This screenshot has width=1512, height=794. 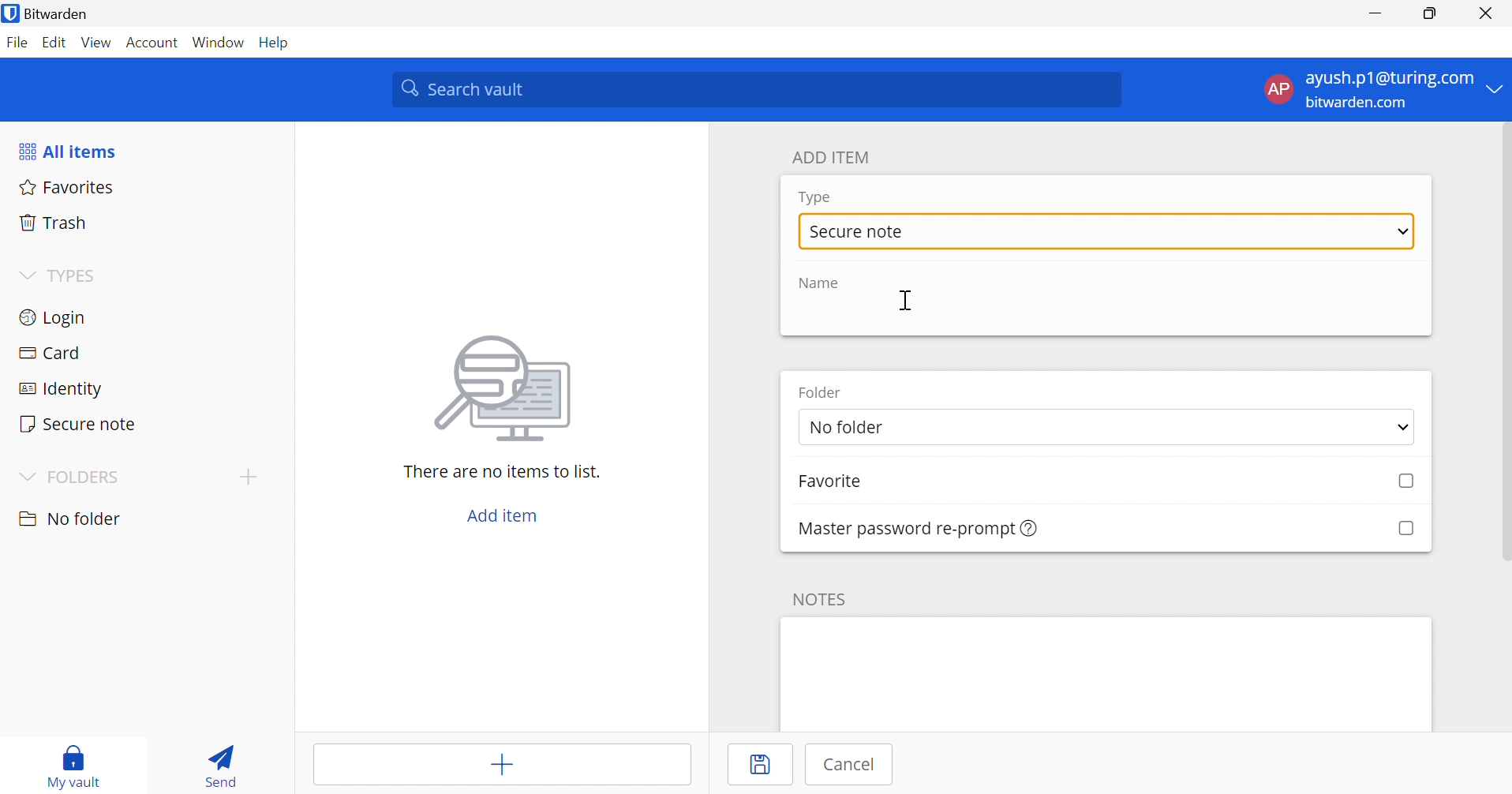 What do you see at coordinates (276, 43) in the screenshot?
I see `Help` at bounding box center [276, 43].